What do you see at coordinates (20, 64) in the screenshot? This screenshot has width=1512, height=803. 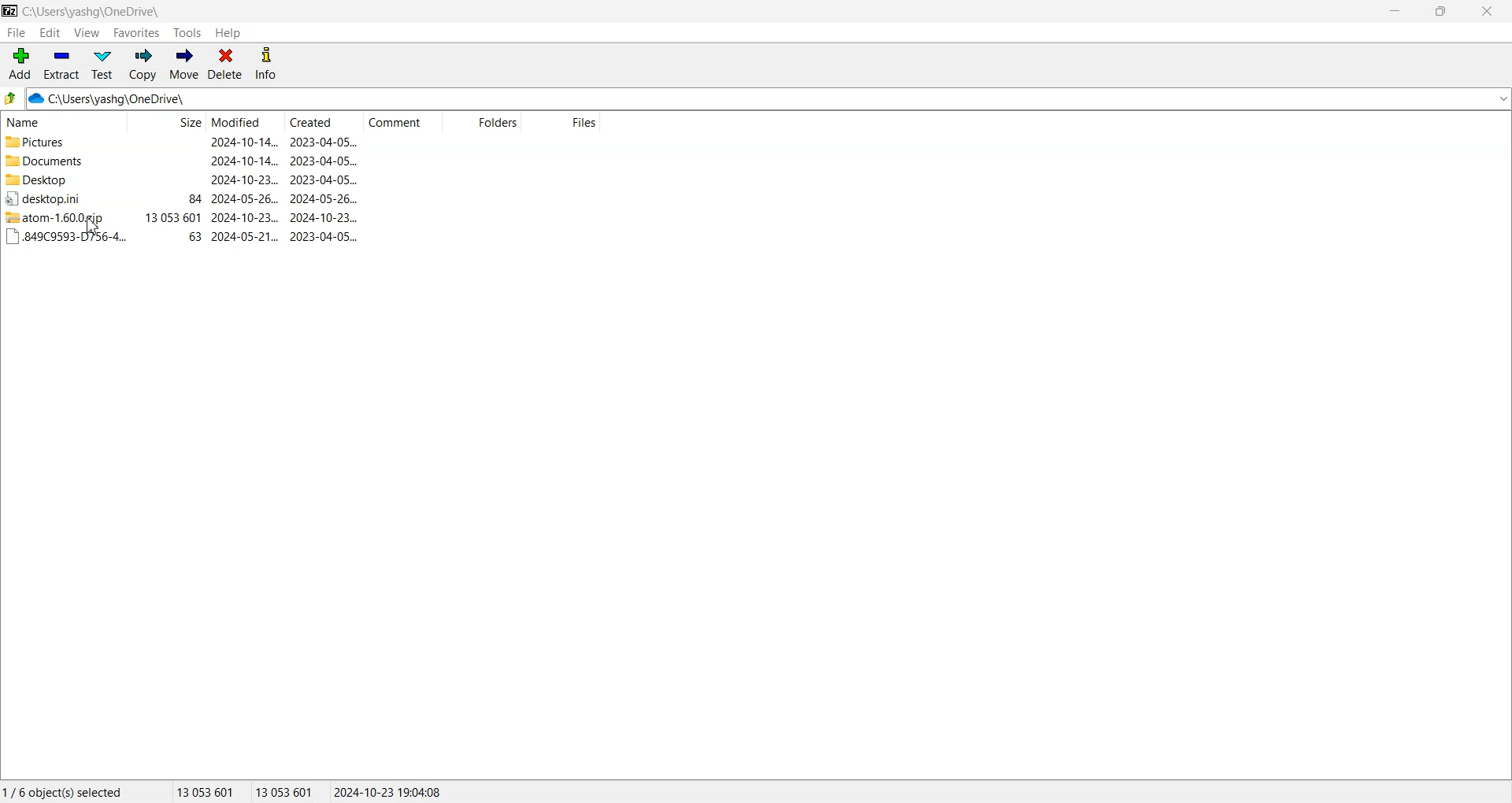 I see `Add` at bounding box center [20, 64].